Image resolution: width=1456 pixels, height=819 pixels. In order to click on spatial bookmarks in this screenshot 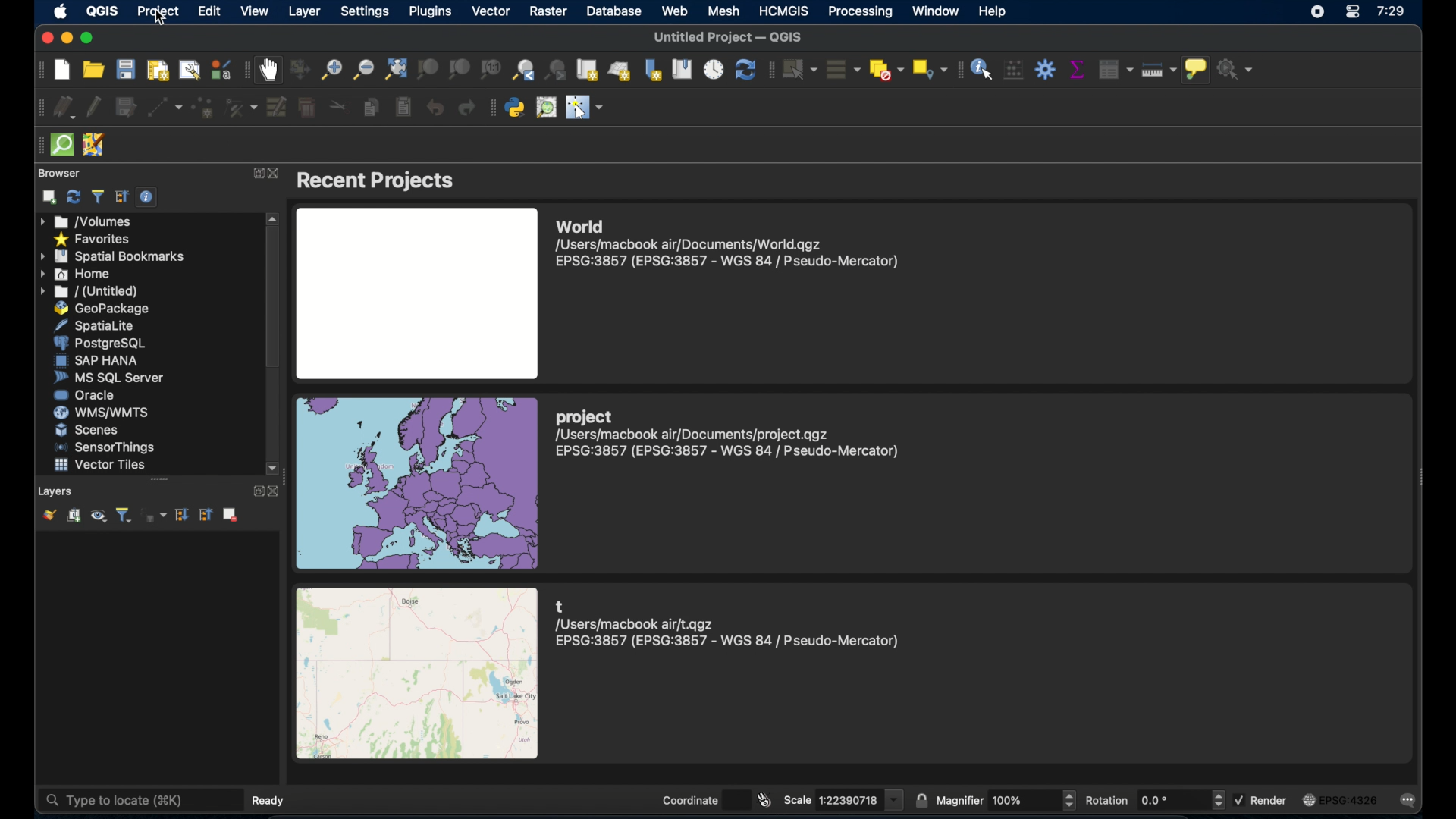, I will do `click(112, 256)`.